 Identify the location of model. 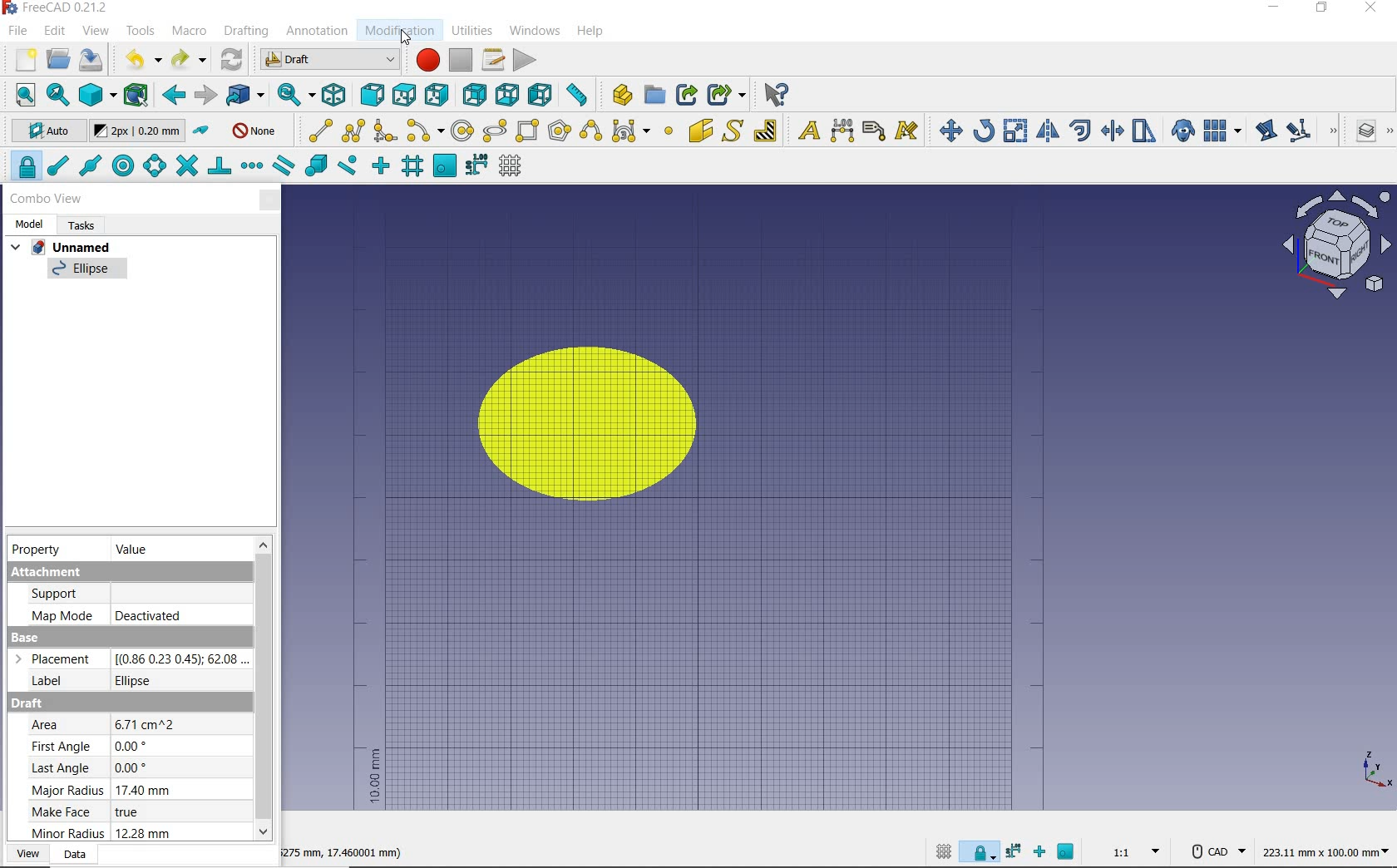
(31, 224).